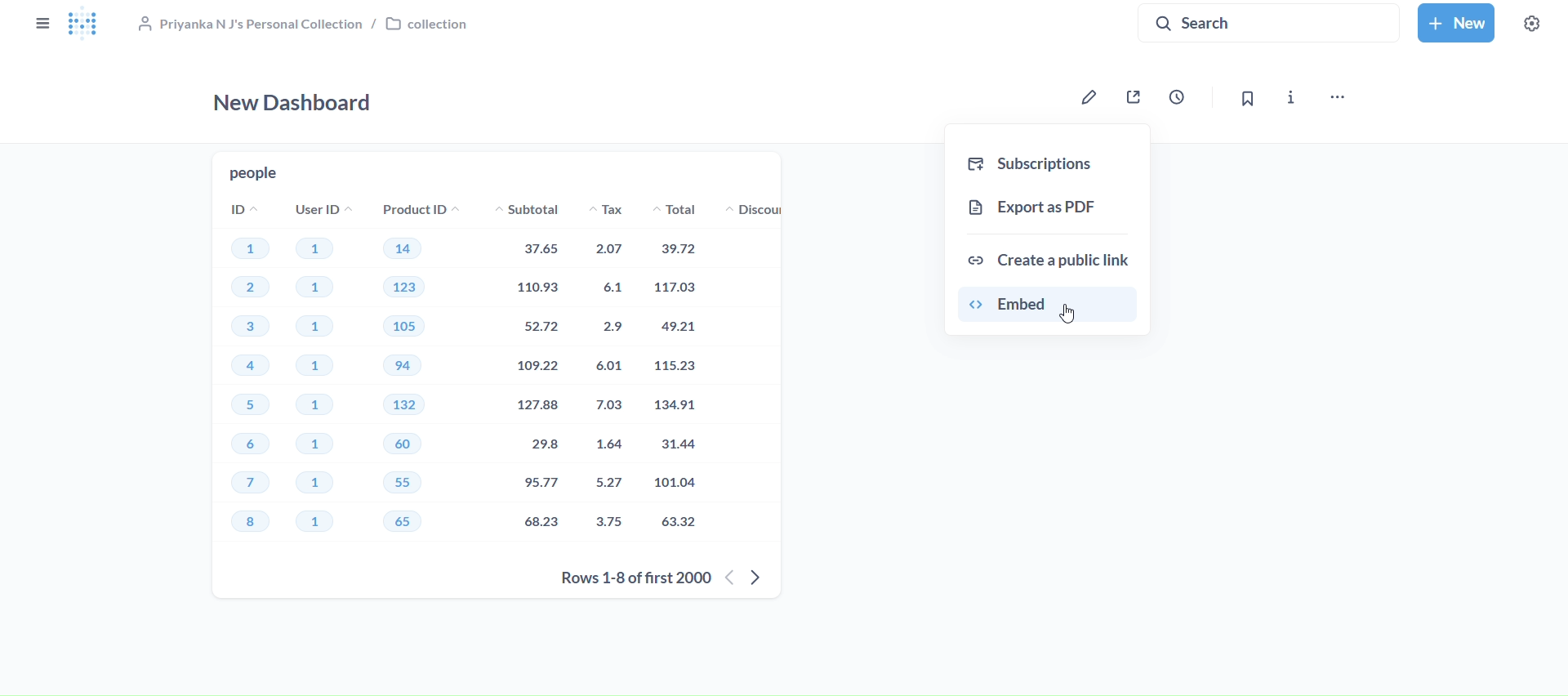  What do you see at coordinates (1049, 164) in the screenshot?
I see `subscriptions` at bounding box center [1049, 164].